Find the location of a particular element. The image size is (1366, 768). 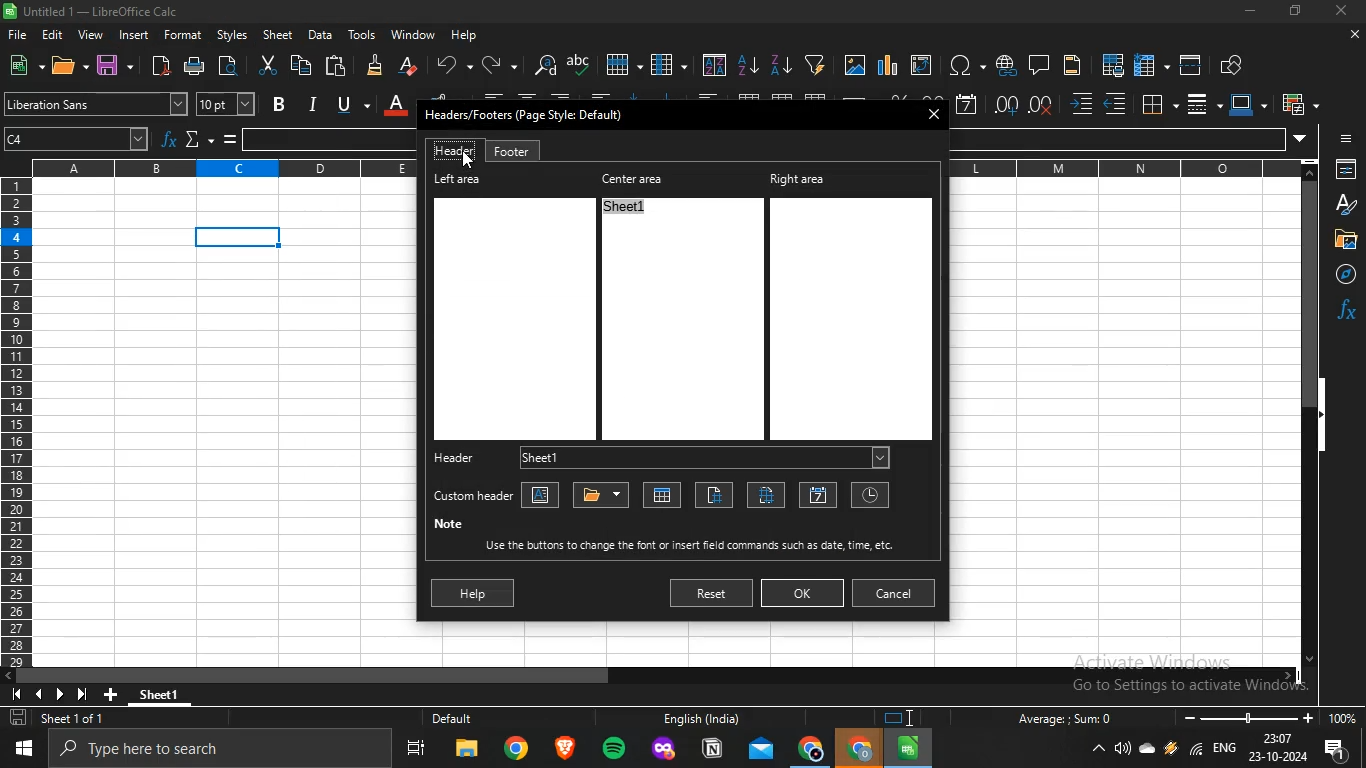

onedrive -personal is located at coordinates (1147, 753).